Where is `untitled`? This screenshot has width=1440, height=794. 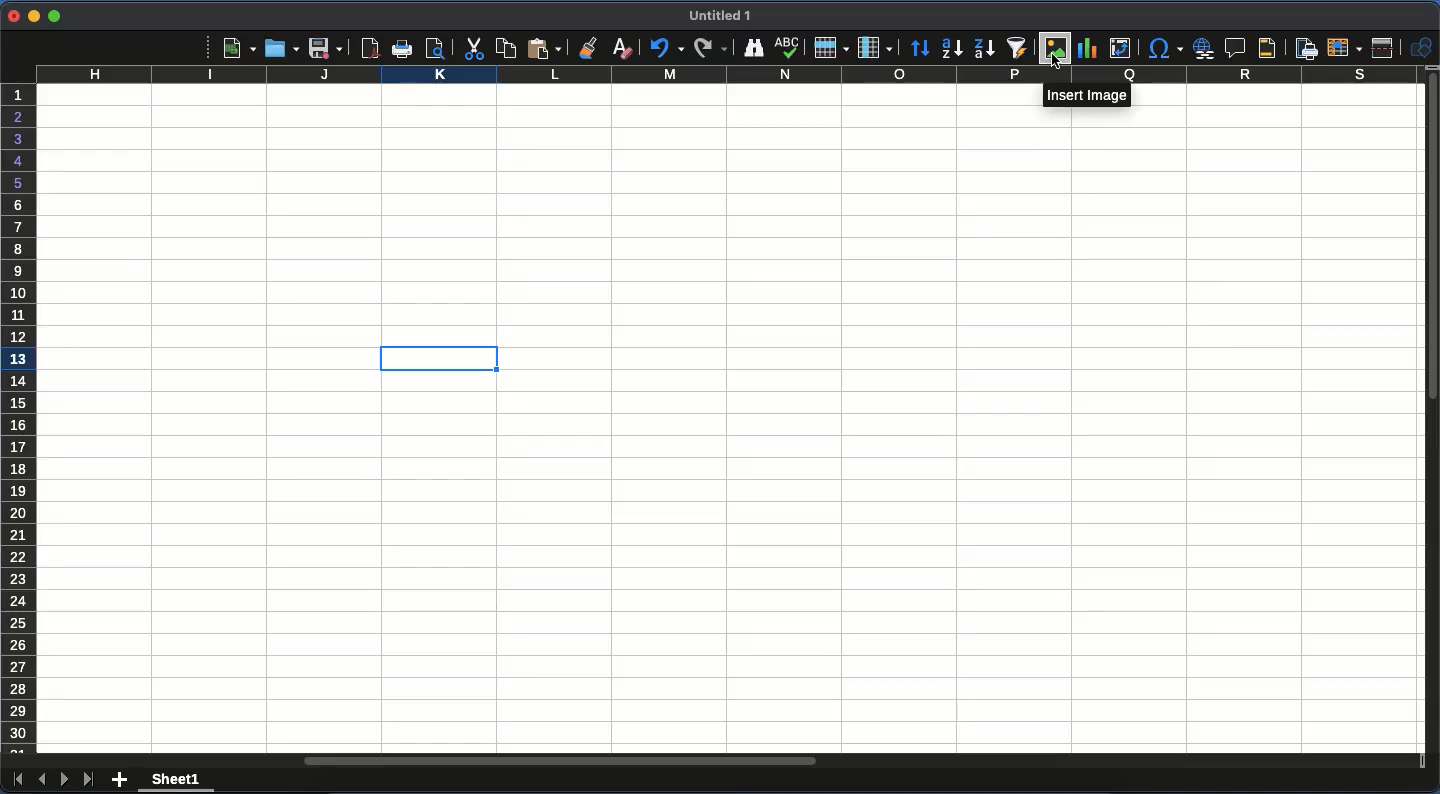 untitled is located at coordinates (719, 15).